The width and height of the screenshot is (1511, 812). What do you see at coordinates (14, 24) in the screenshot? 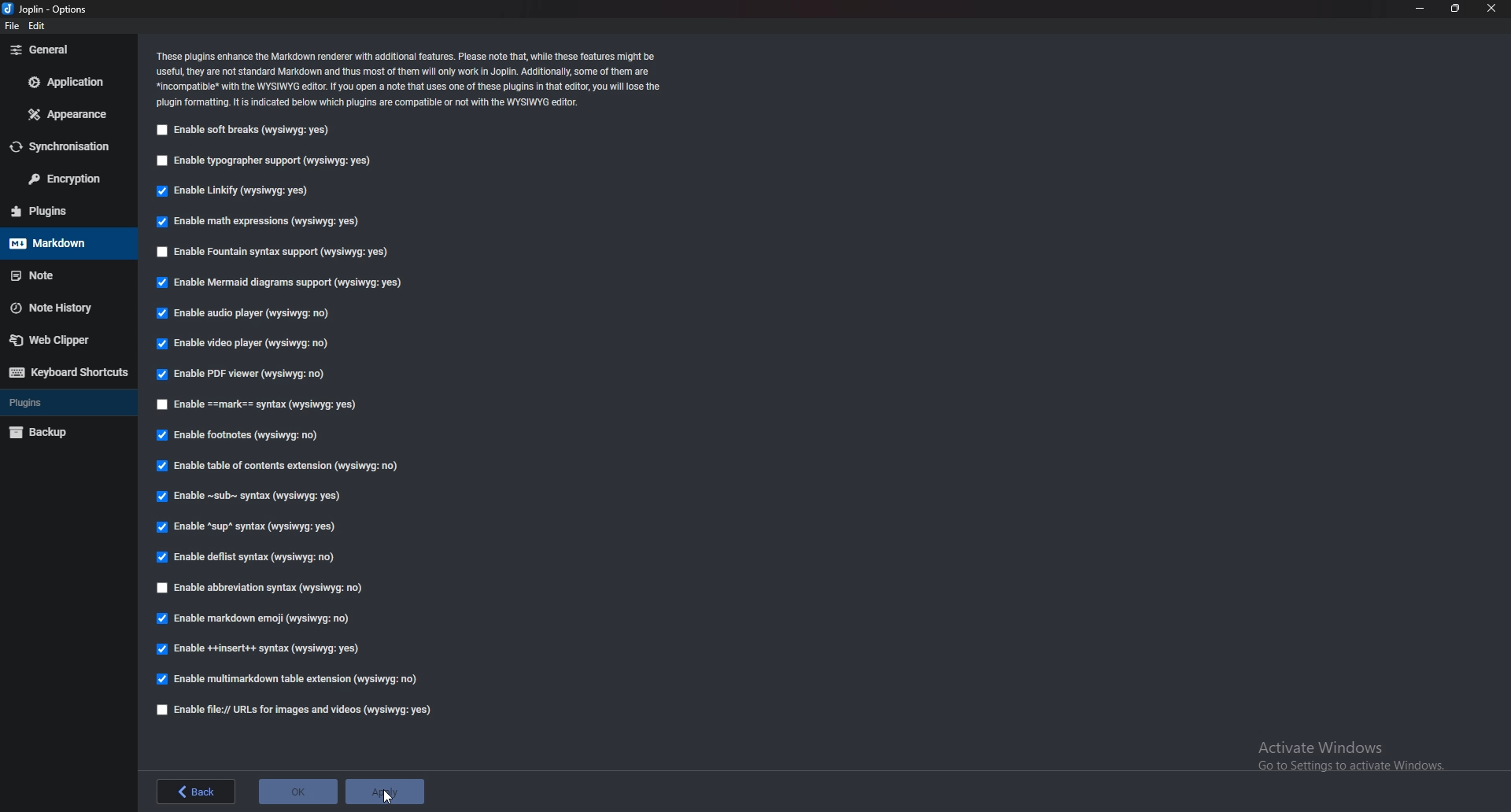
I see `file` at bounding box center [14, 24].